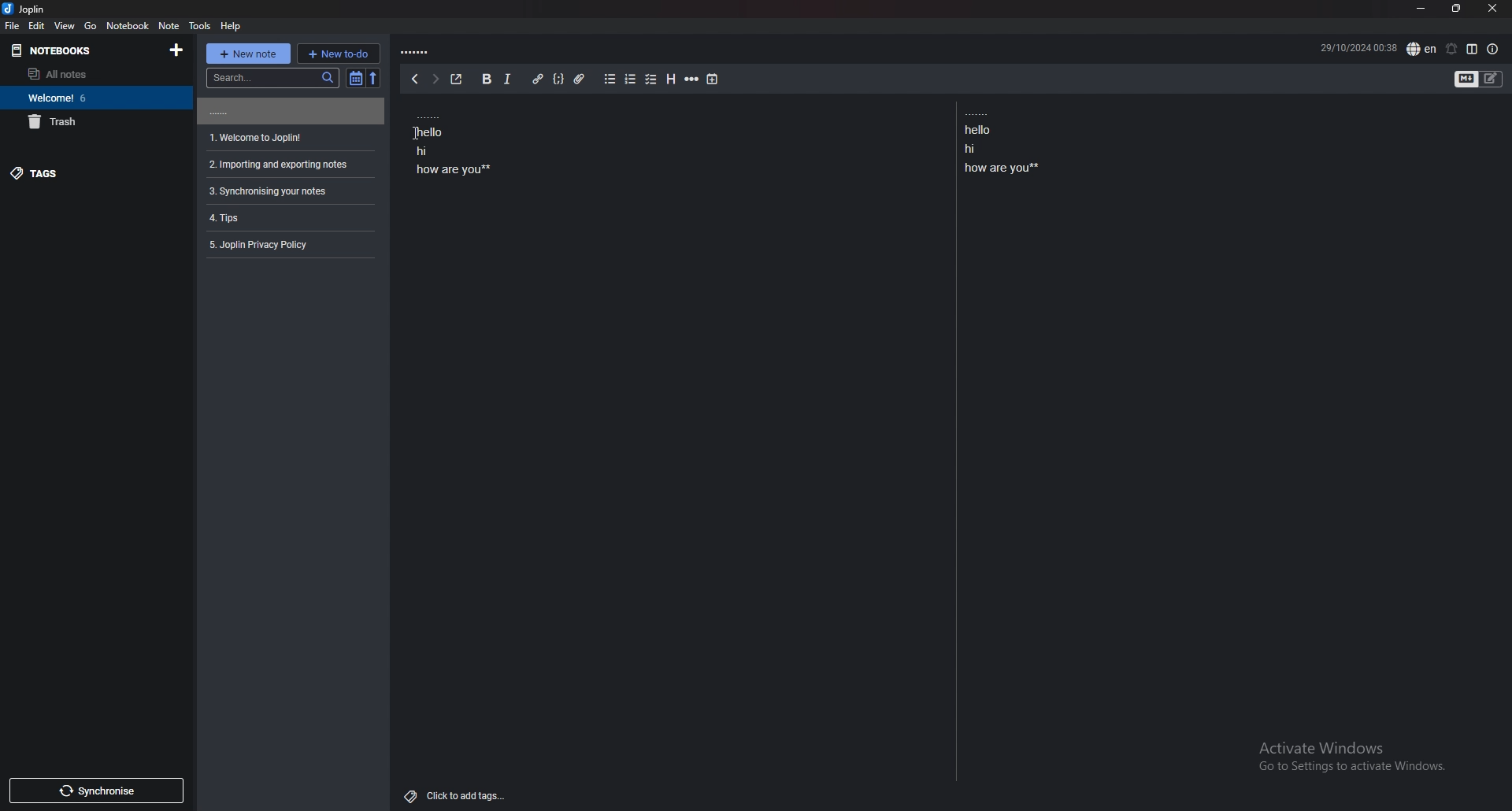 This screenshot has width=1512, height=811. I want to click on help, so click(230, 26).